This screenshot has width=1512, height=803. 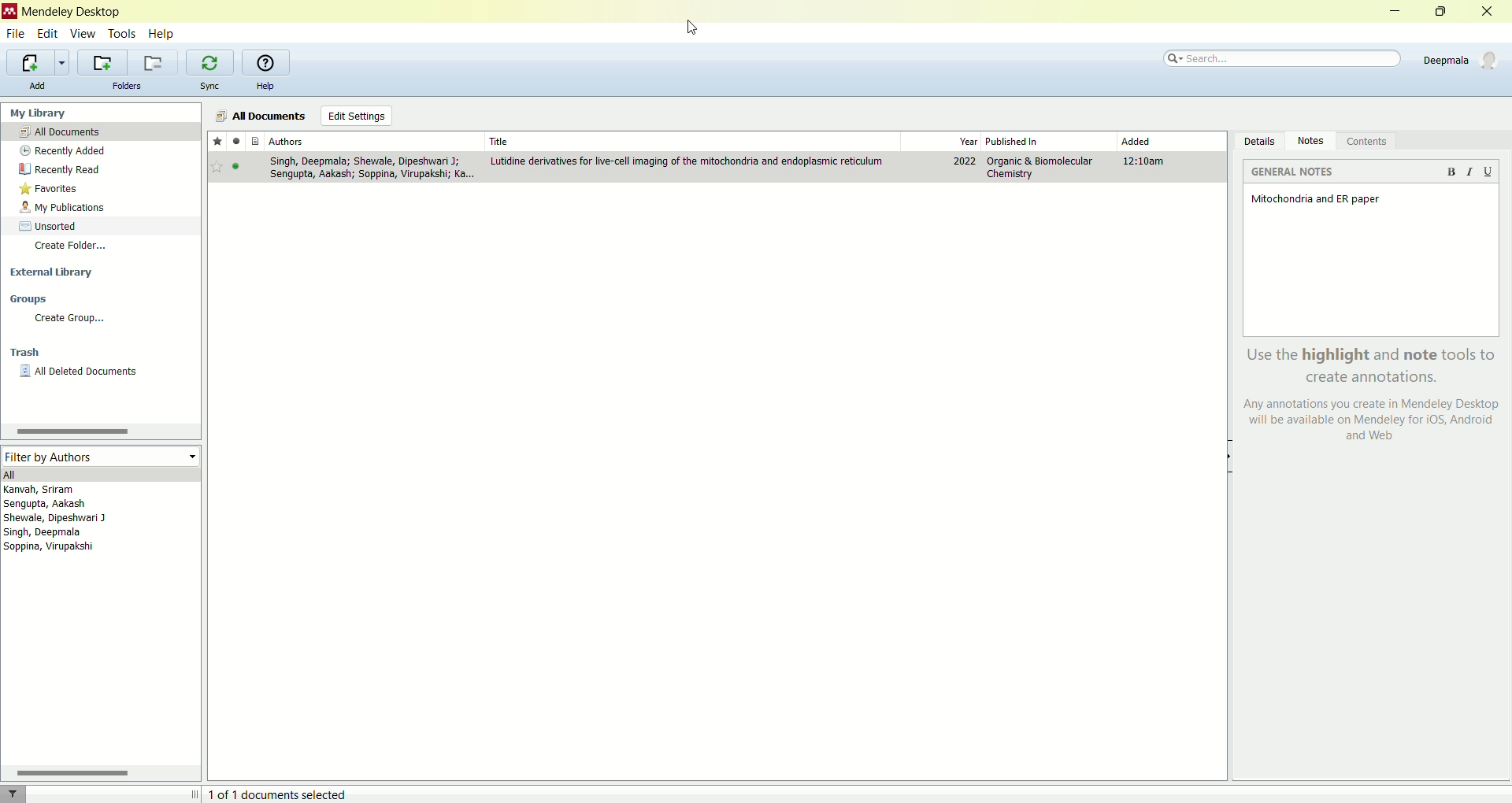 What do you see at coordinates (164, 35) in the screenshot?
I see `help` at bounding box center [164, 35].